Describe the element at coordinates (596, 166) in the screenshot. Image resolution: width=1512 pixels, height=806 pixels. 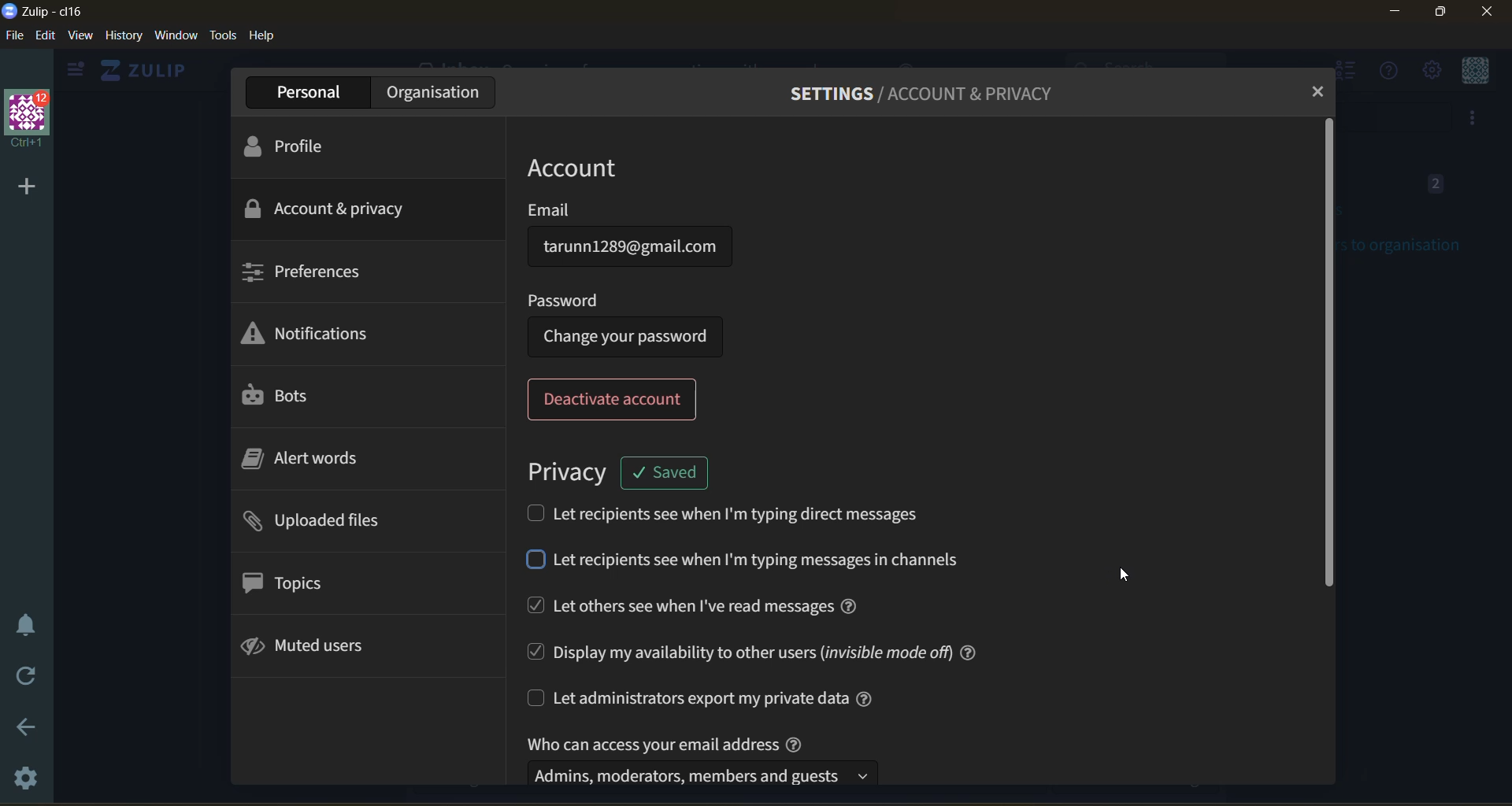
I see `account` at that location.